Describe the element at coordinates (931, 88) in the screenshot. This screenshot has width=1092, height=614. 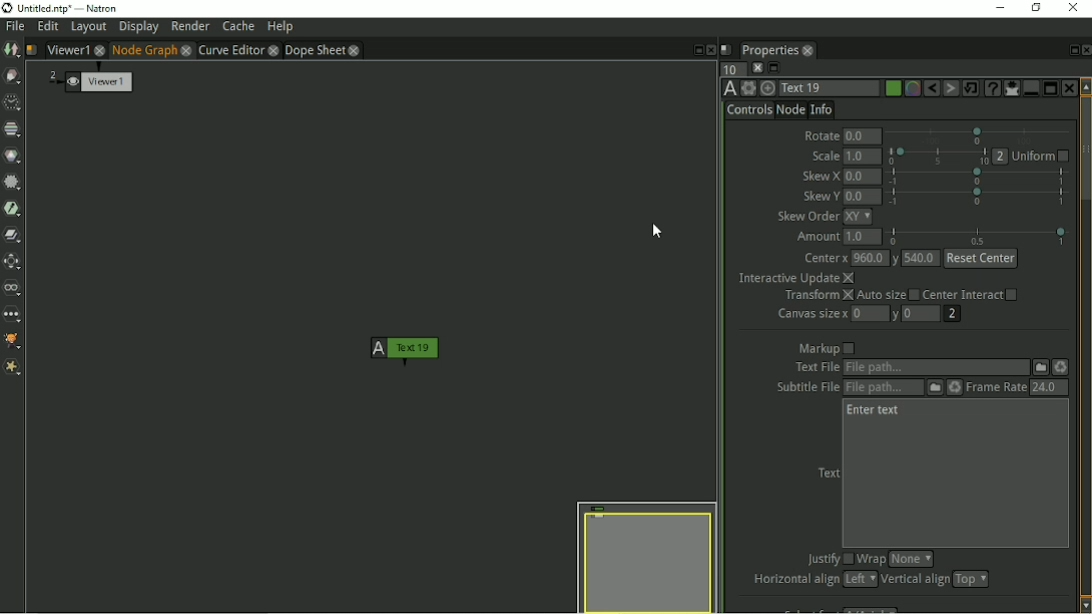
I see `Undo` at that location.